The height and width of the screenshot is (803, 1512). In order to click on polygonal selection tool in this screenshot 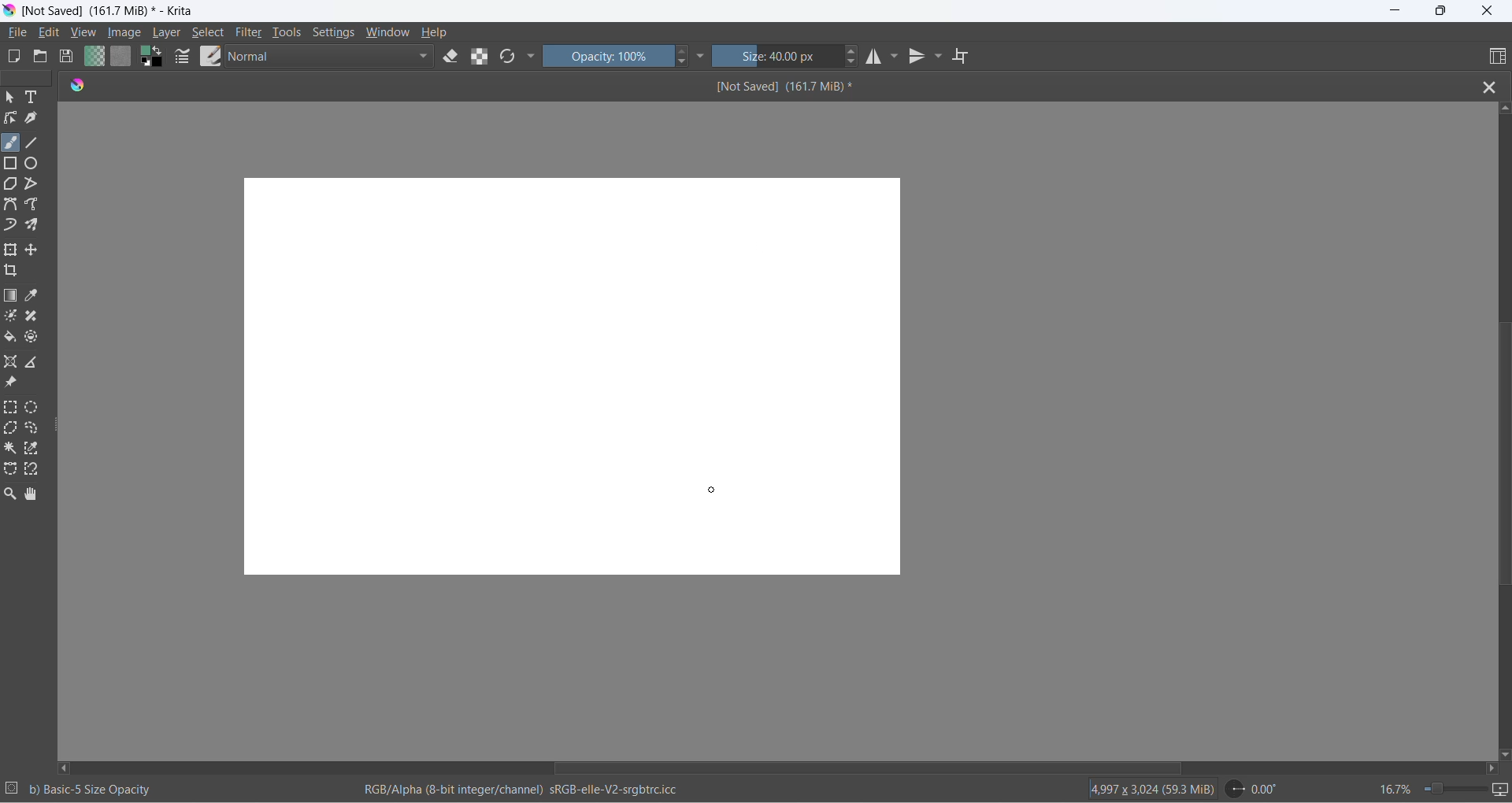, I will do `click(12, 430)`.